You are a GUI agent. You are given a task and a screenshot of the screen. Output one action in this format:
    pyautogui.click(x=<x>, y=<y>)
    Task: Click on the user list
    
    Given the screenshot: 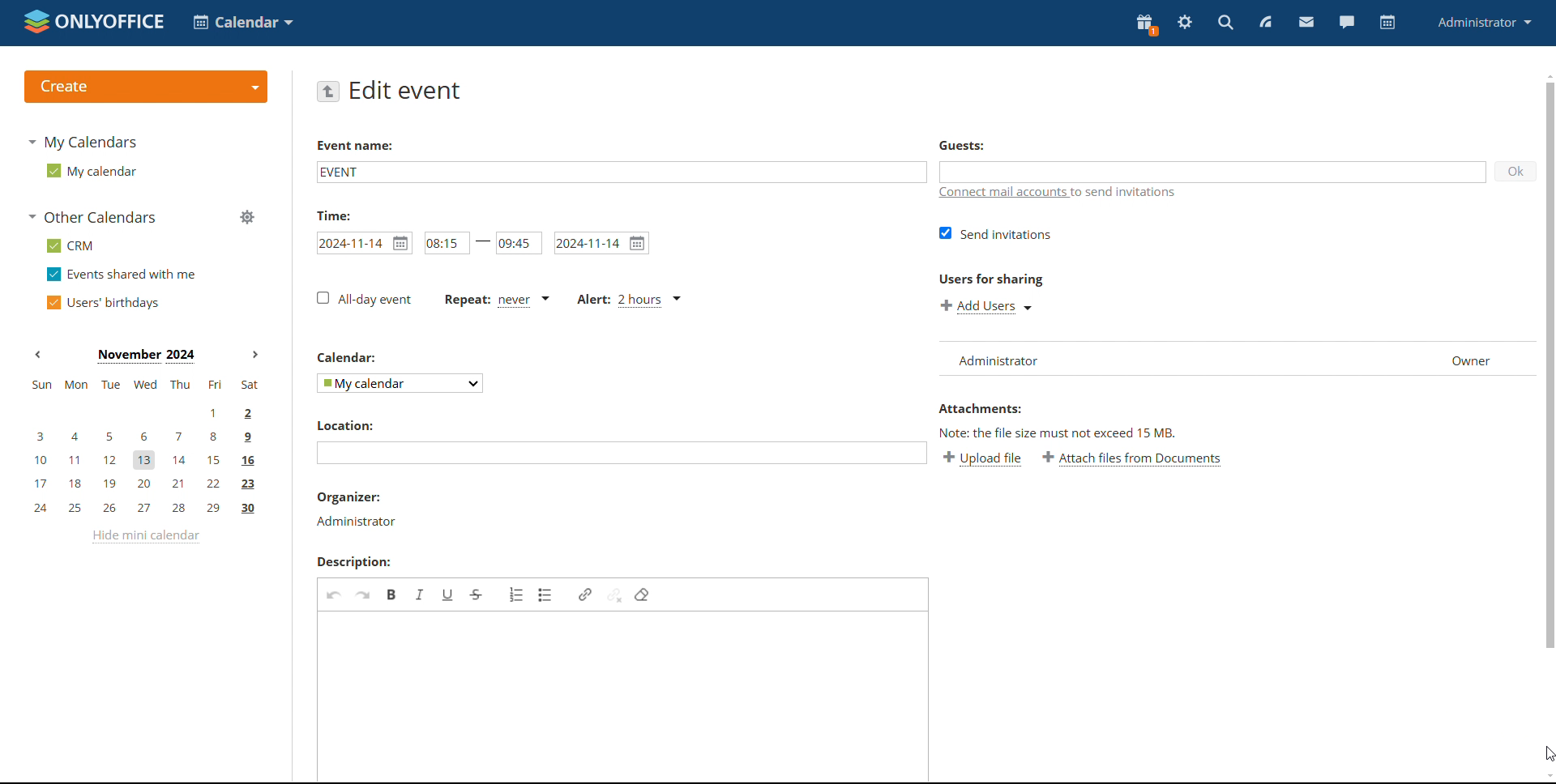 What is the action you would take?
    pyautogui.click(x=1235, y=359)
    